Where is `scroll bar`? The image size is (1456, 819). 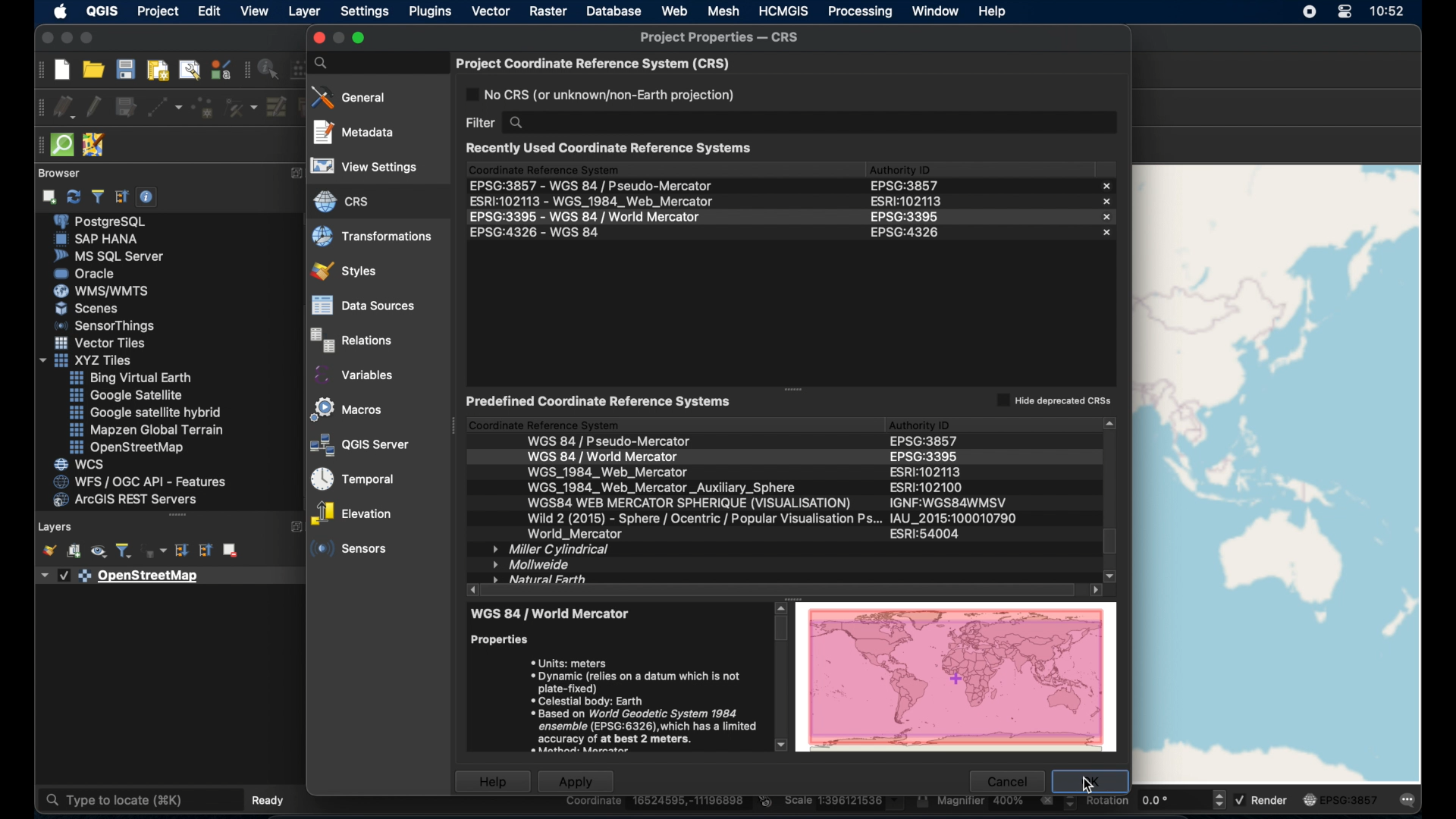 scroll bar is located at coordinates (780, 679).